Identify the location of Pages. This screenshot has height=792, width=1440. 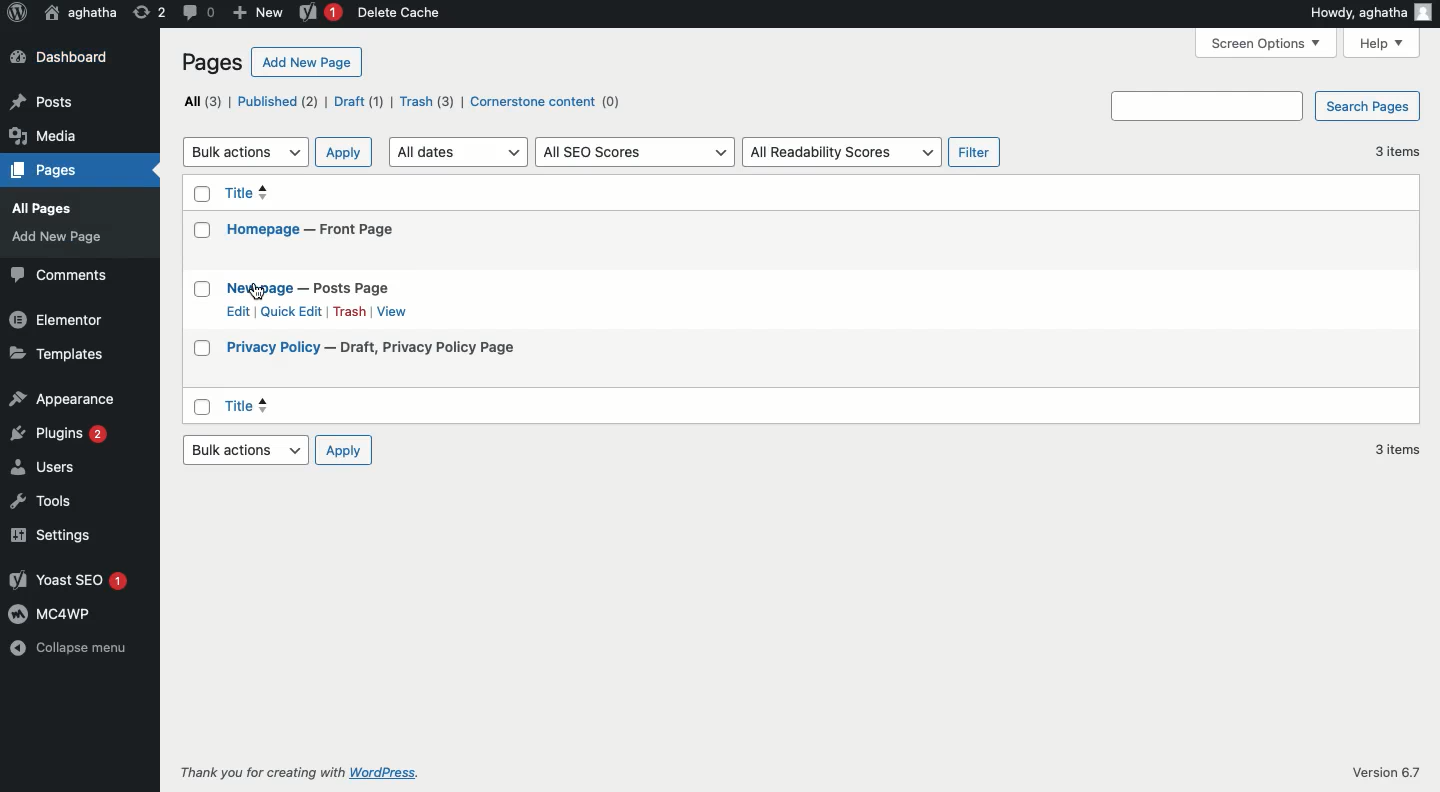
(48, 171).